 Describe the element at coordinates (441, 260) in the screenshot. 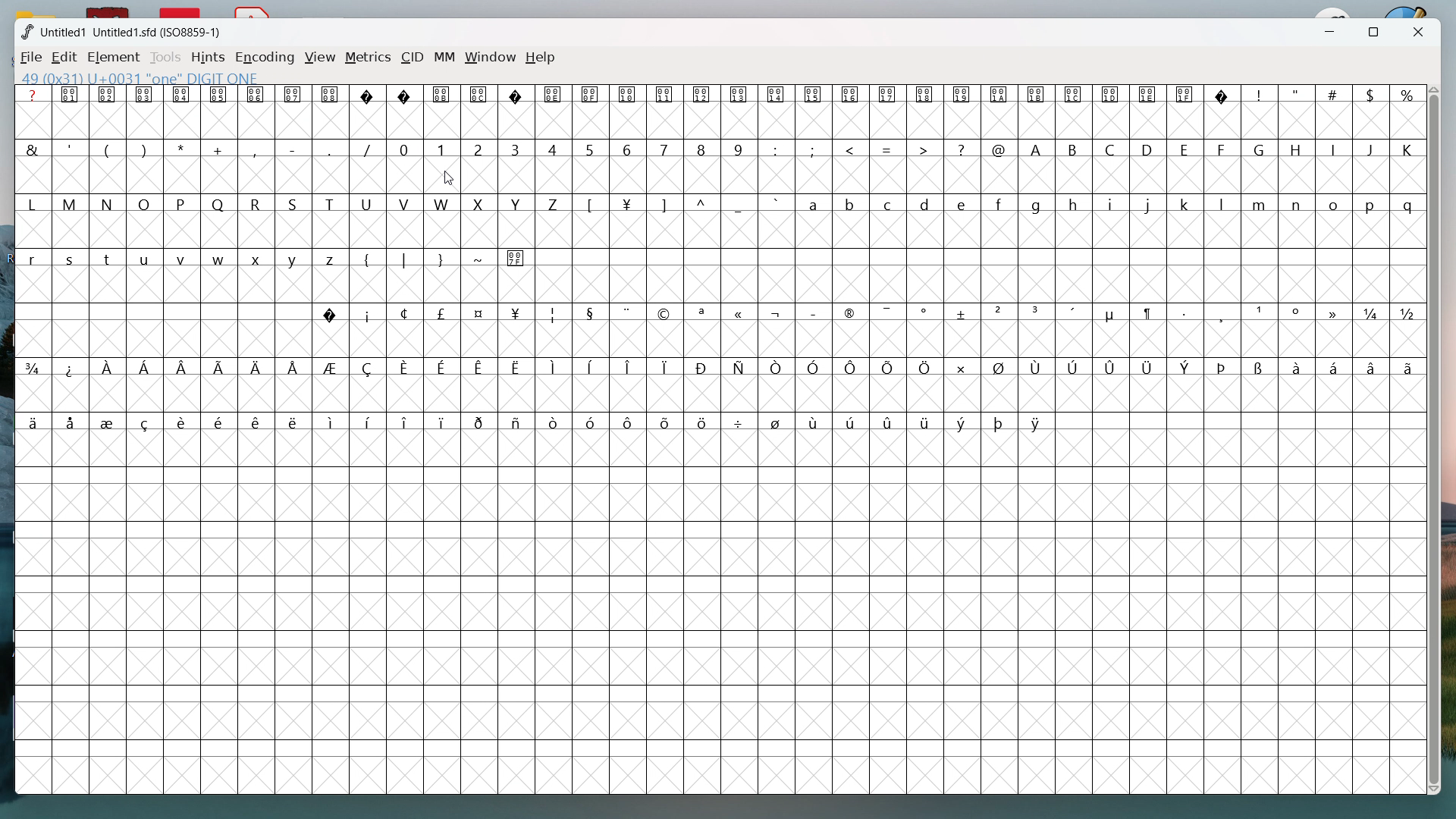

I see `}` at that location.